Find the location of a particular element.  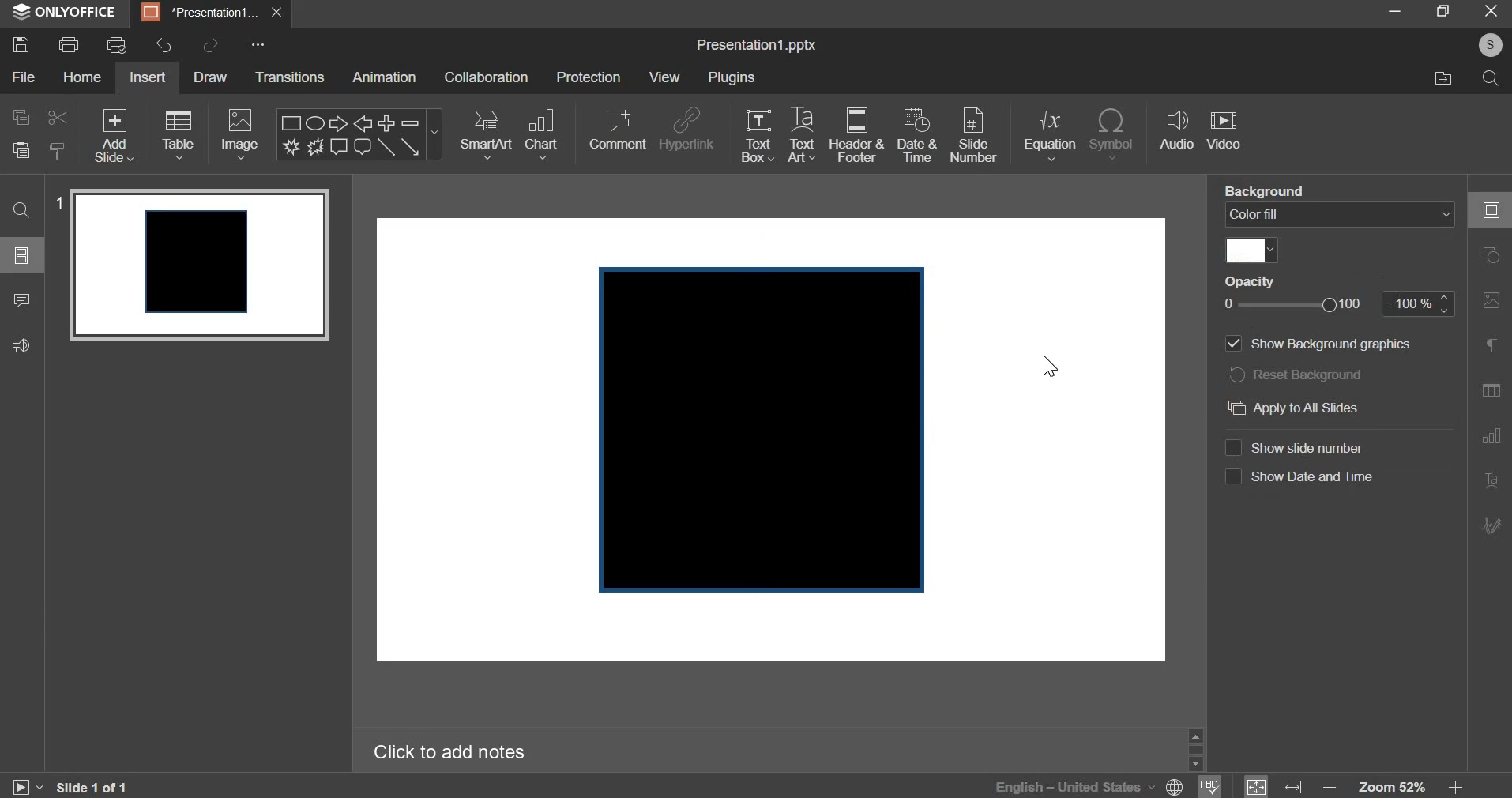

Paragraph is located at coordinates (1492, 480).